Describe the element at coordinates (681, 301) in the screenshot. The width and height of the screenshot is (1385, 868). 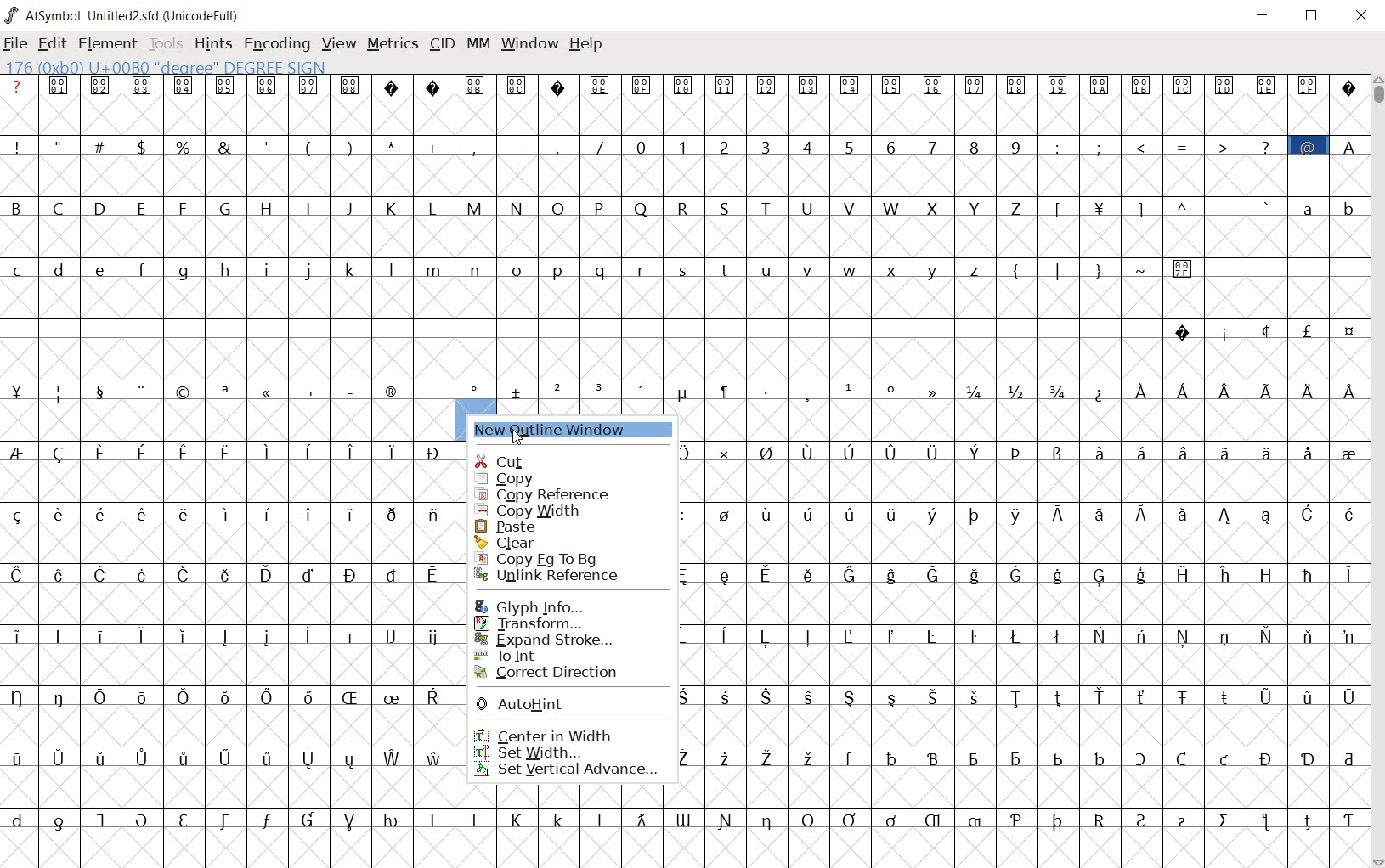
I see `empty glyph slots` at that location.